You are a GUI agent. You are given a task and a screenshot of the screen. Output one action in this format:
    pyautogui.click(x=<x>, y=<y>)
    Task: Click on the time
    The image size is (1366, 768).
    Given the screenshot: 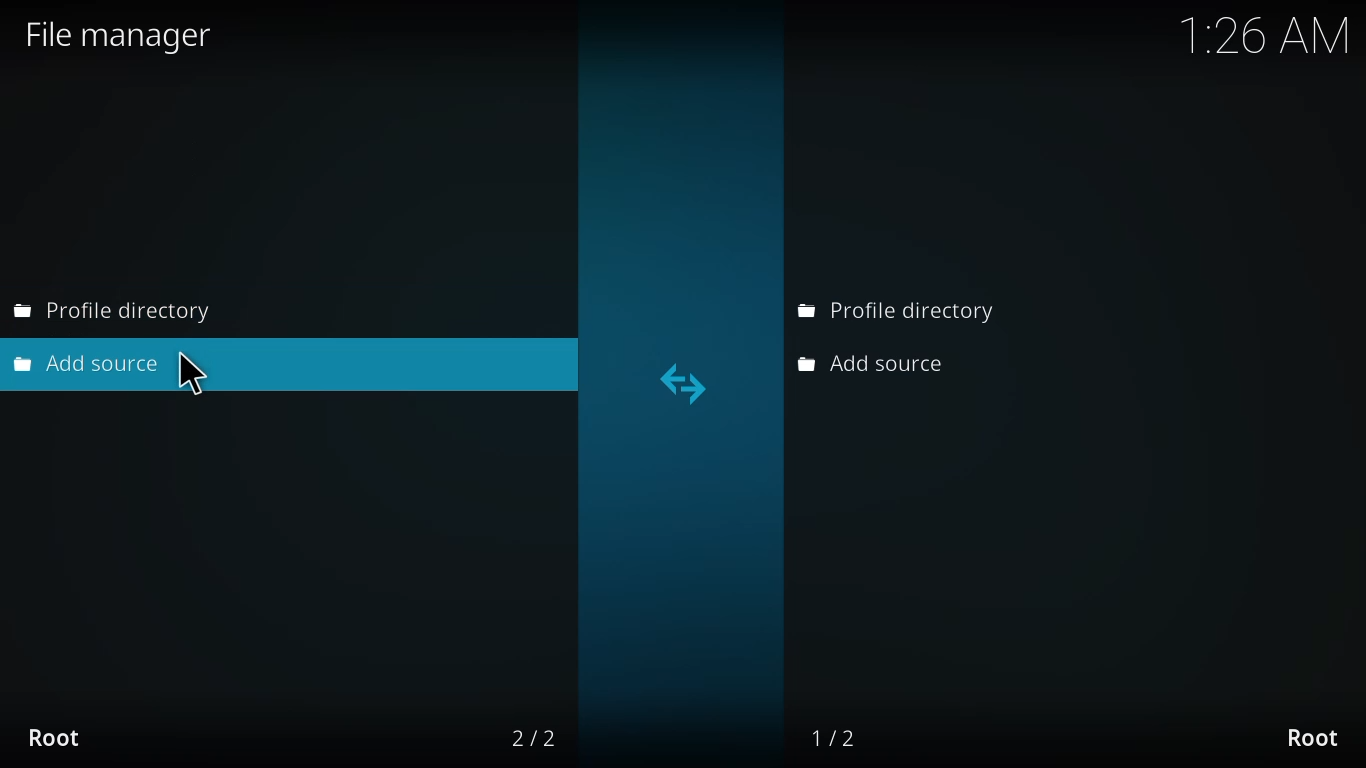 What is the action you would take?
    pyautogui.click(x=1263, y=37)
    